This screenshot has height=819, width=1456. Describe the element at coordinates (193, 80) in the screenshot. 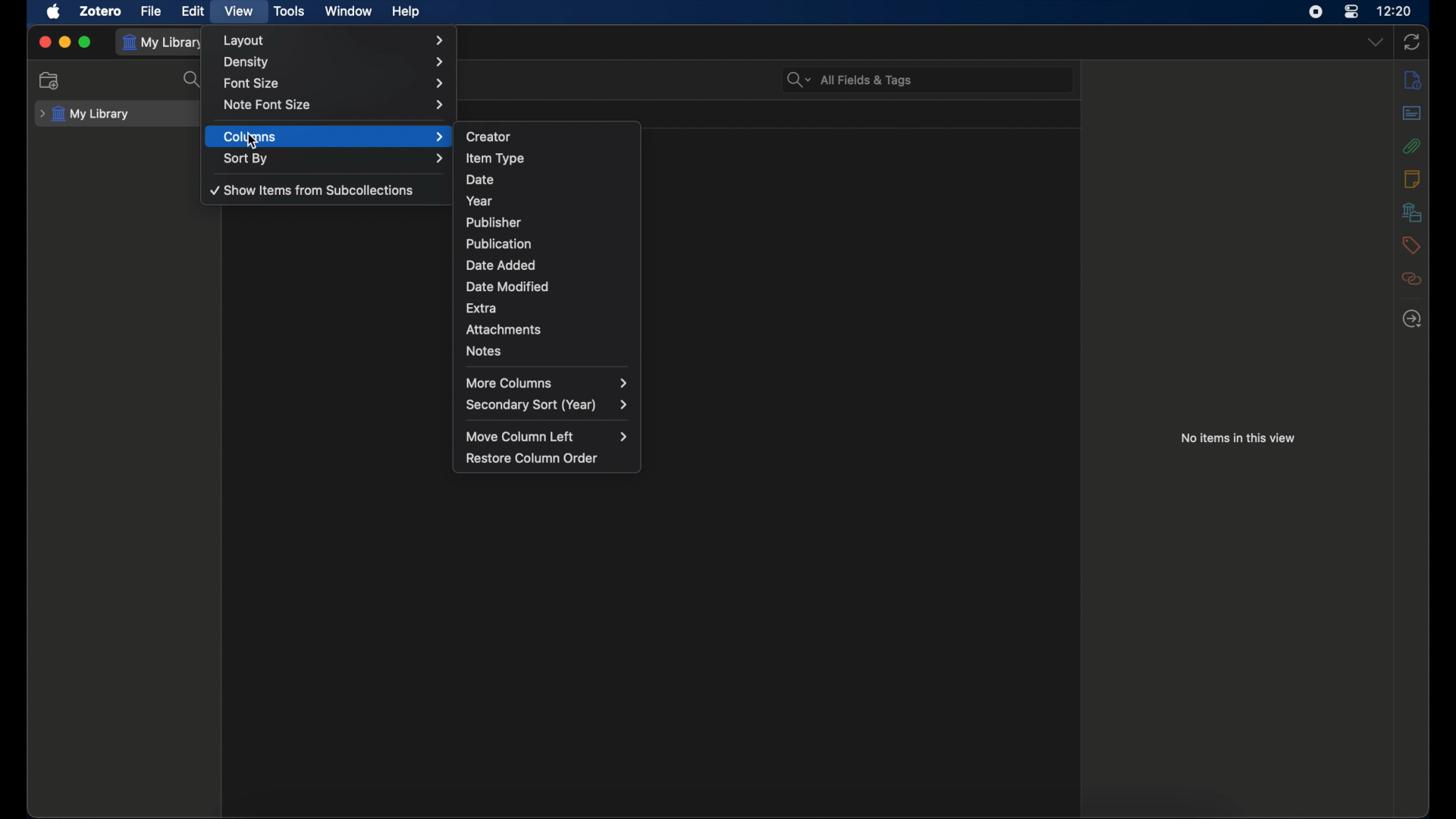

I see `search` at that location.